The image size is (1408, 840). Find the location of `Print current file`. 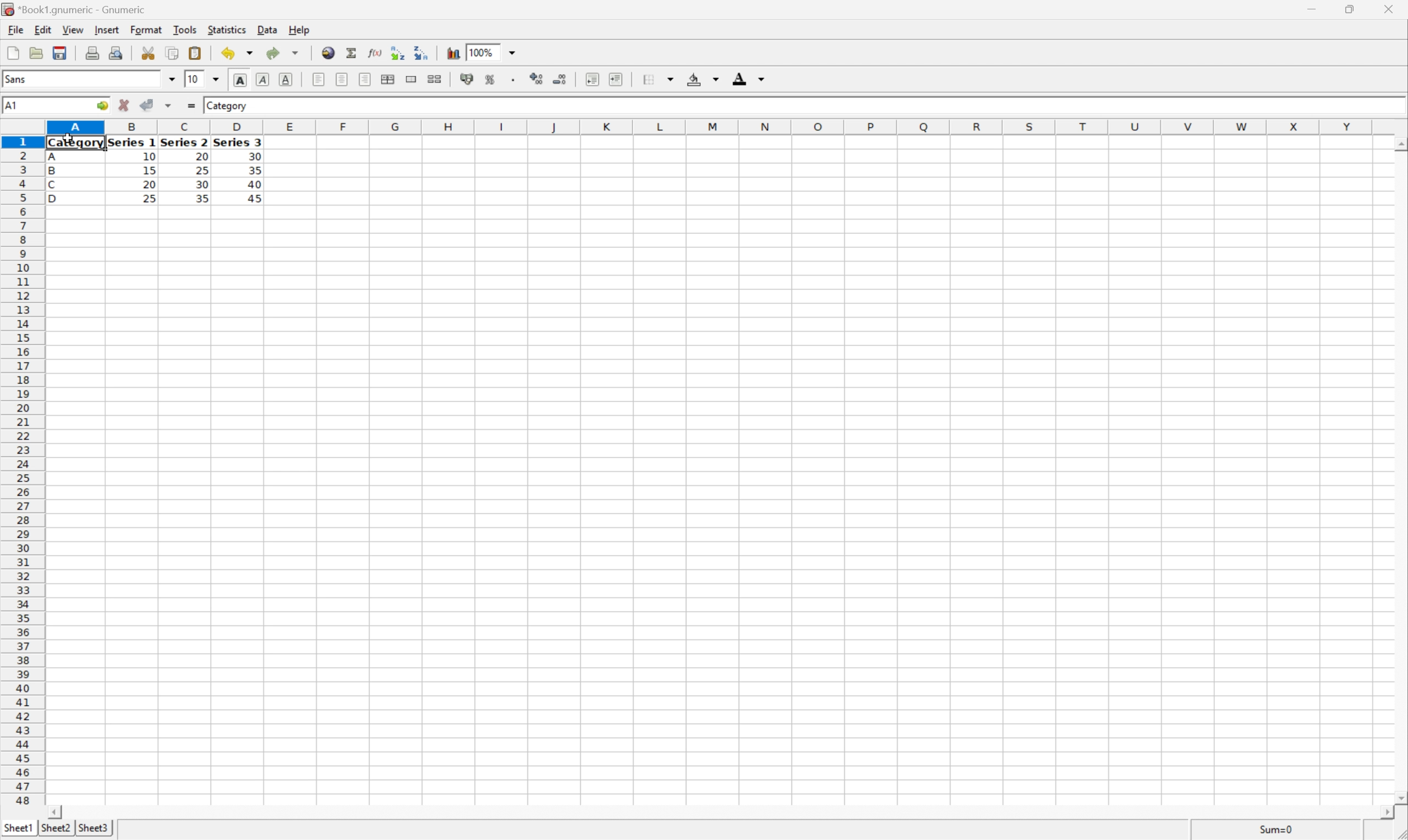

Print current file is located at coordinates (92, 54).